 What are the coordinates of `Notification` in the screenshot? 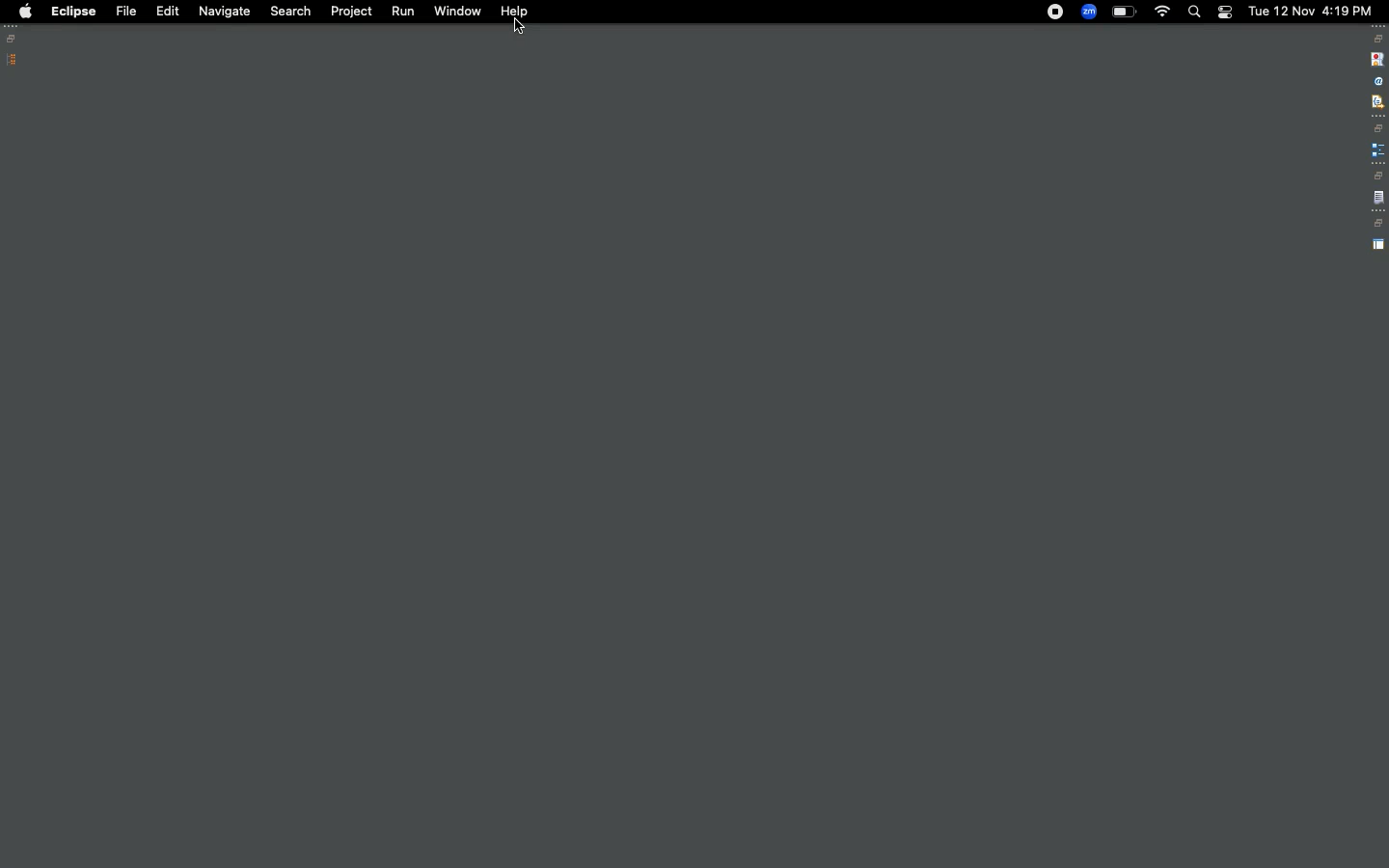 It's located at (1224, 13).